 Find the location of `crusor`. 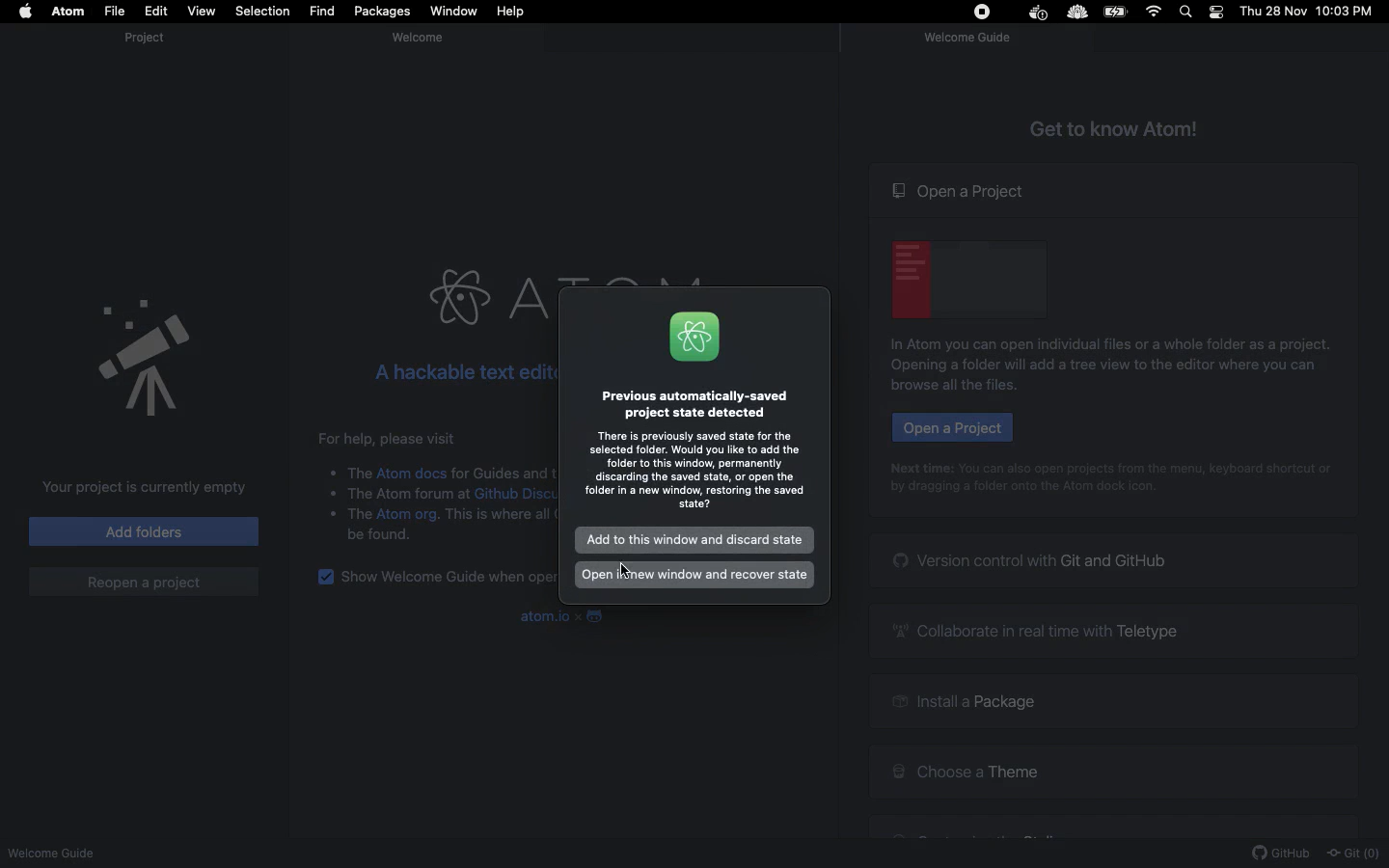

crusor is located at coordinates (630, 571).